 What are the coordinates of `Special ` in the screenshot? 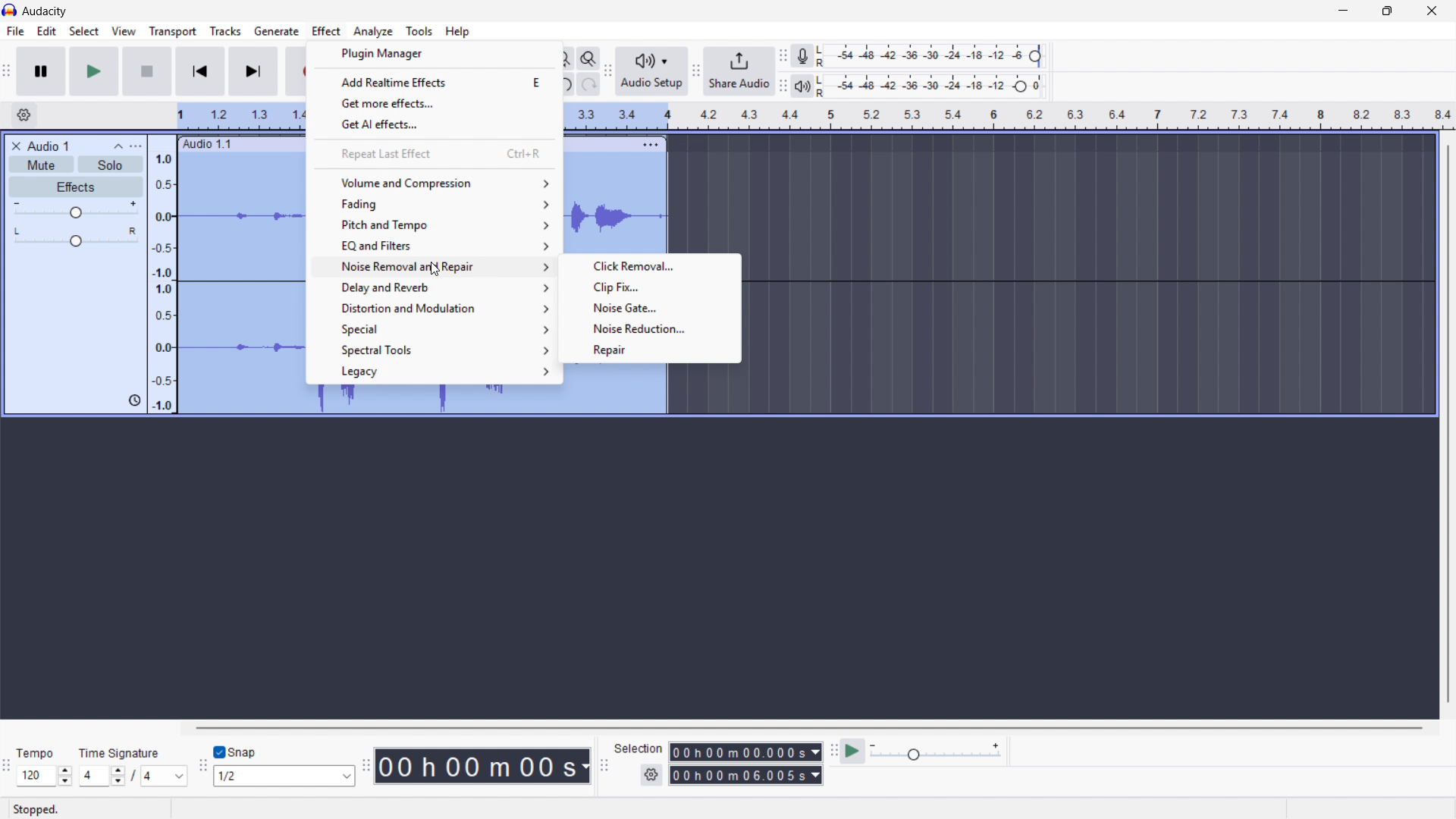 It's located at (432, 330).